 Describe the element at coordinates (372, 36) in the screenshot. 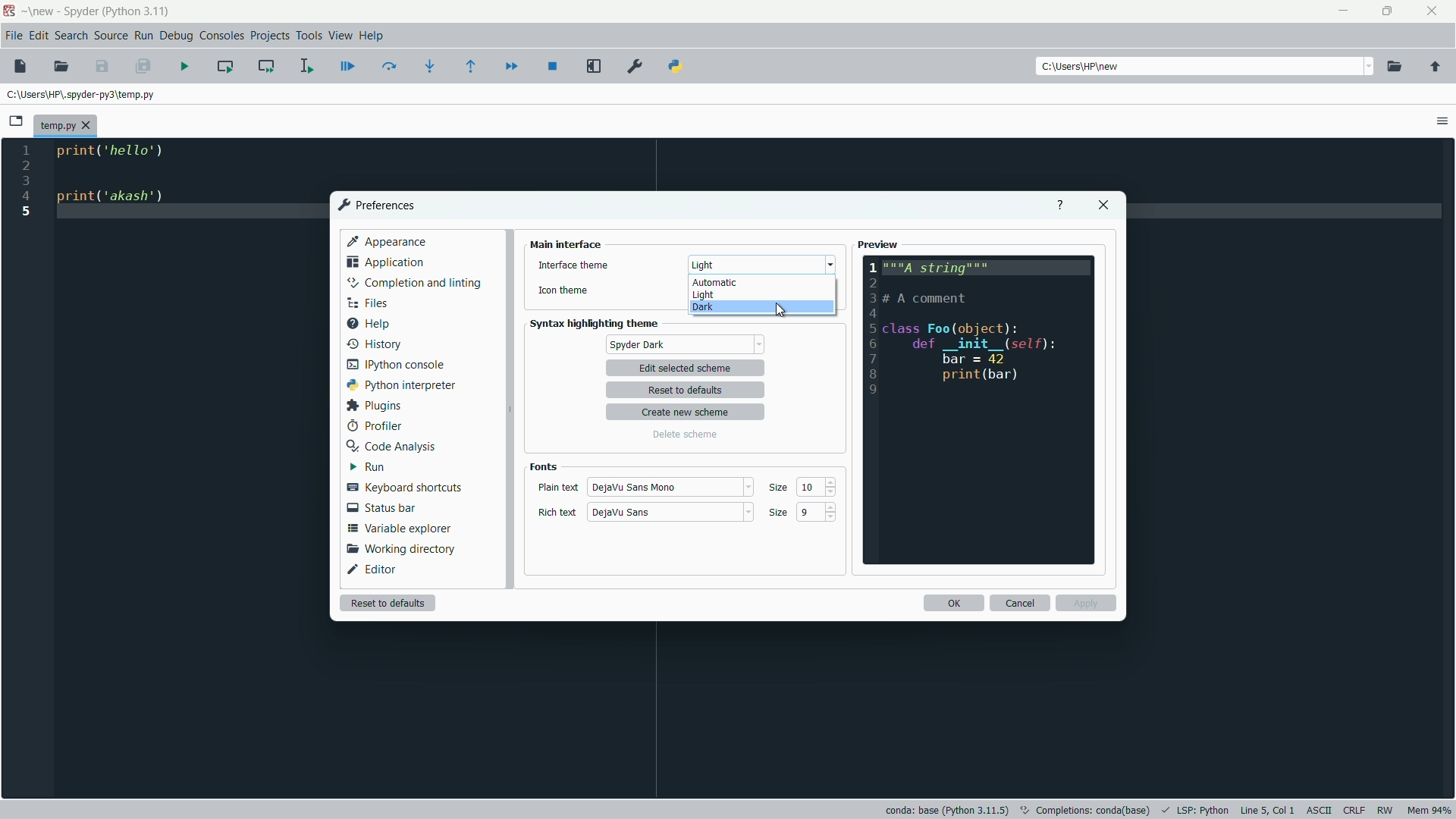

I see `help menu` at that location.